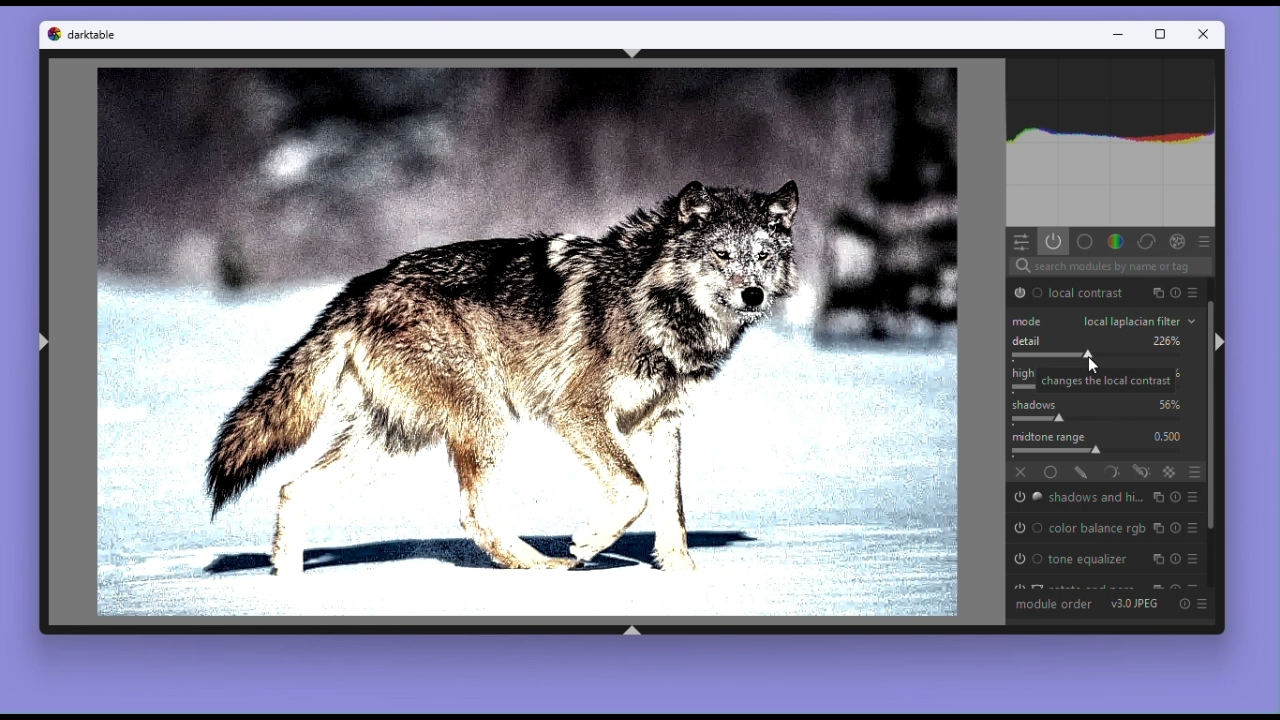  Describe the element at coordinates (1156, 559) in the screenshot. I see `Multiple instance actions` at that location.